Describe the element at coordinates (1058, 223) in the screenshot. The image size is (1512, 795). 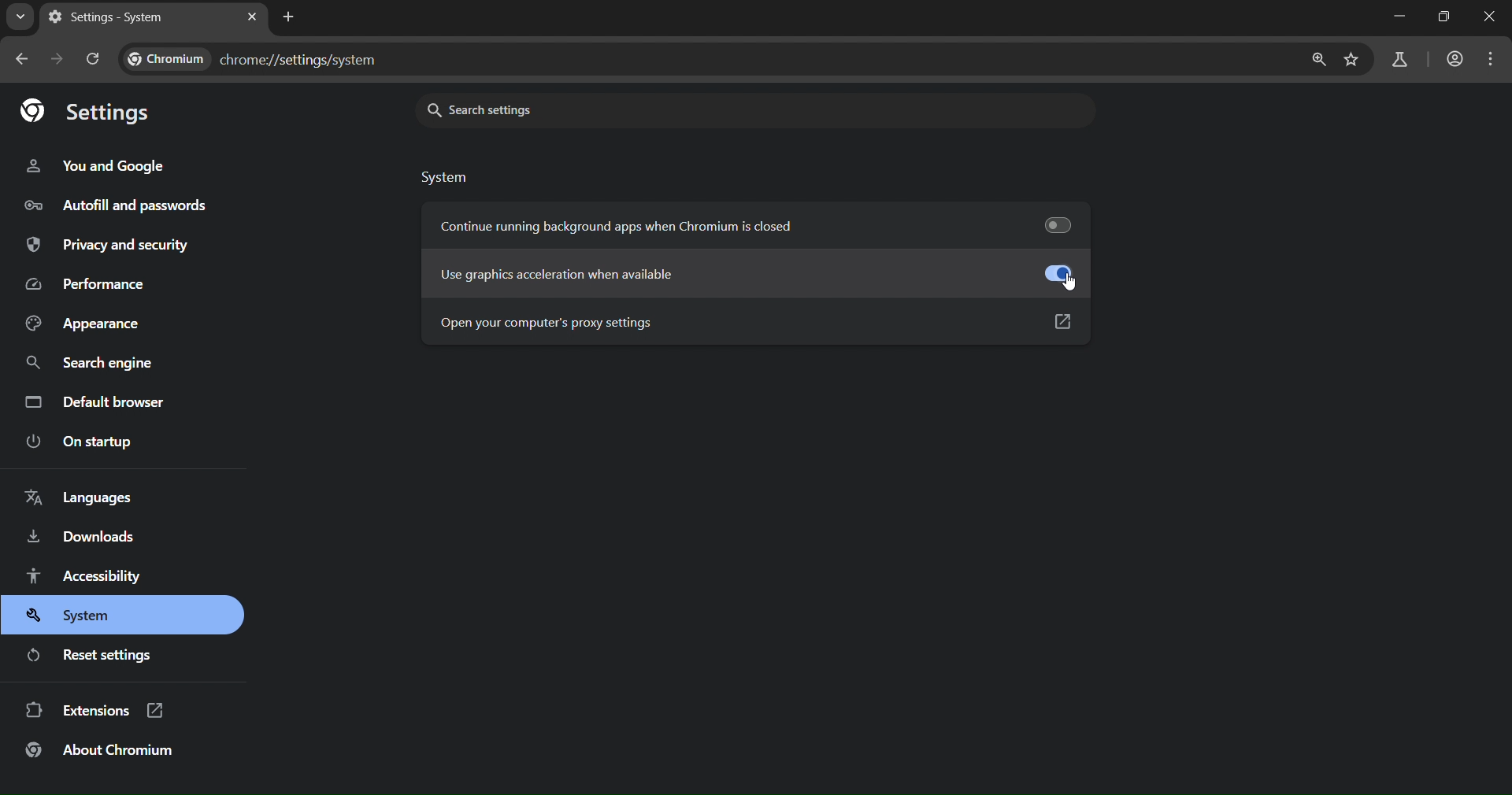
I see `toggle` at that location.